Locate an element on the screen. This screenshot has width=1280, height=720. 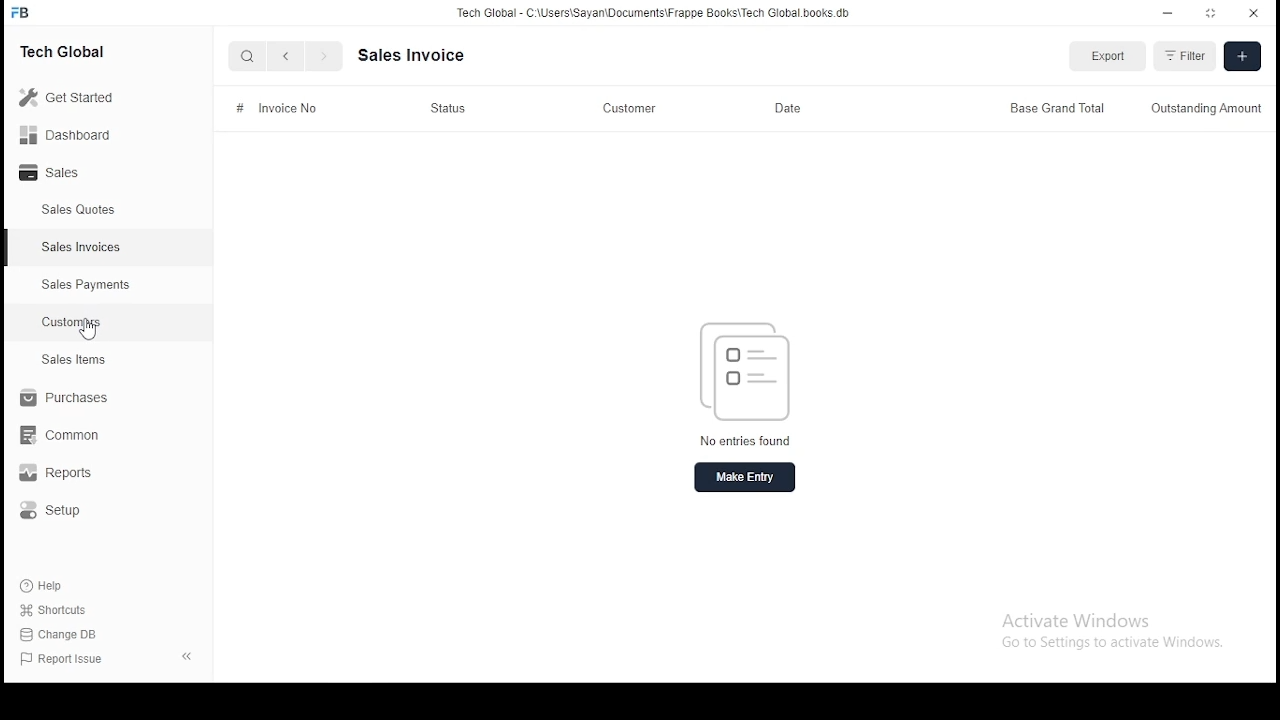
sales invoice is located at coordinates (411, 54).